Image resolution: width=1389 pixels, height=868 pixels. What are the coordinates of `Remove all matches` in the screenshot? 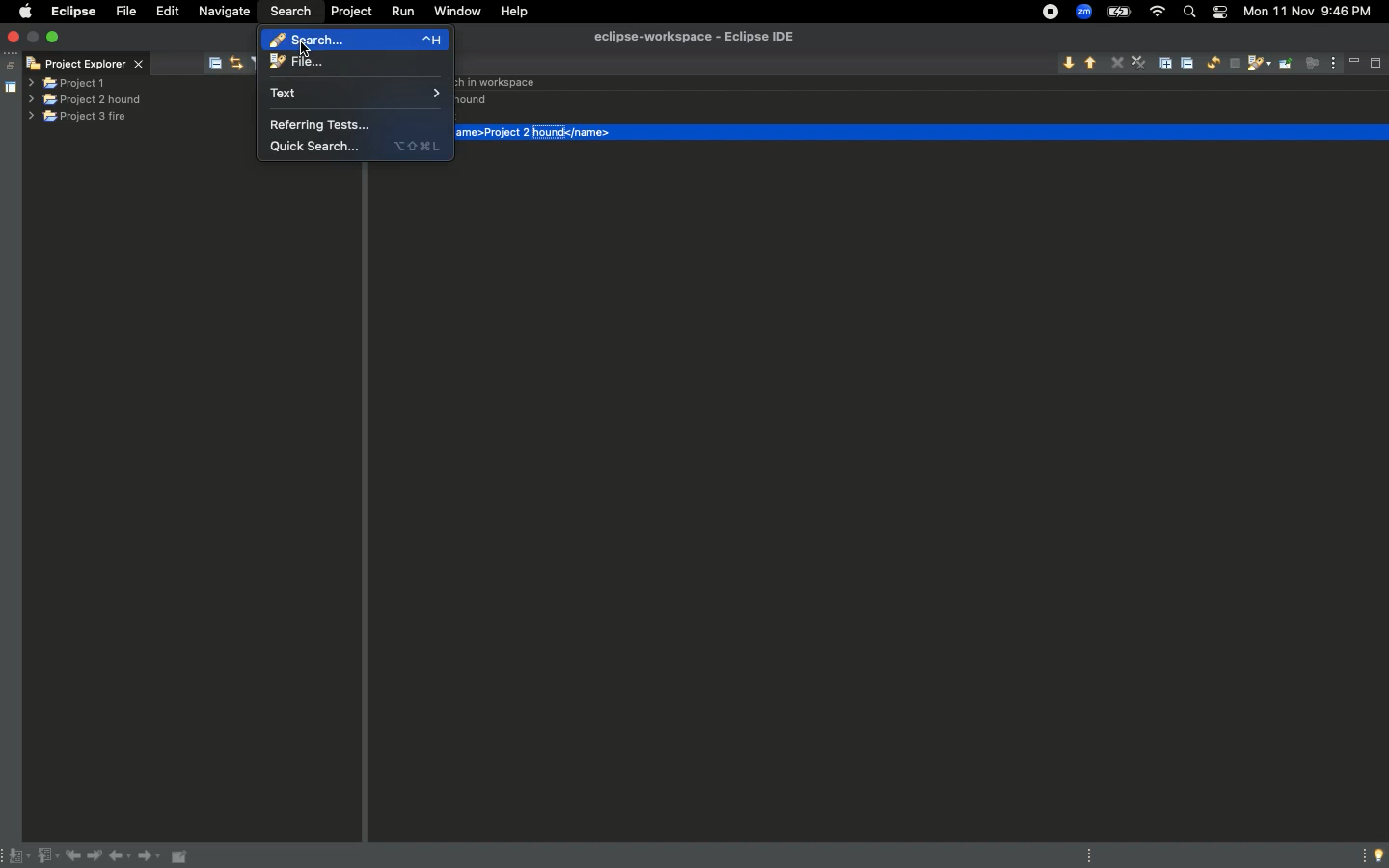 It's located at (1139, 64).